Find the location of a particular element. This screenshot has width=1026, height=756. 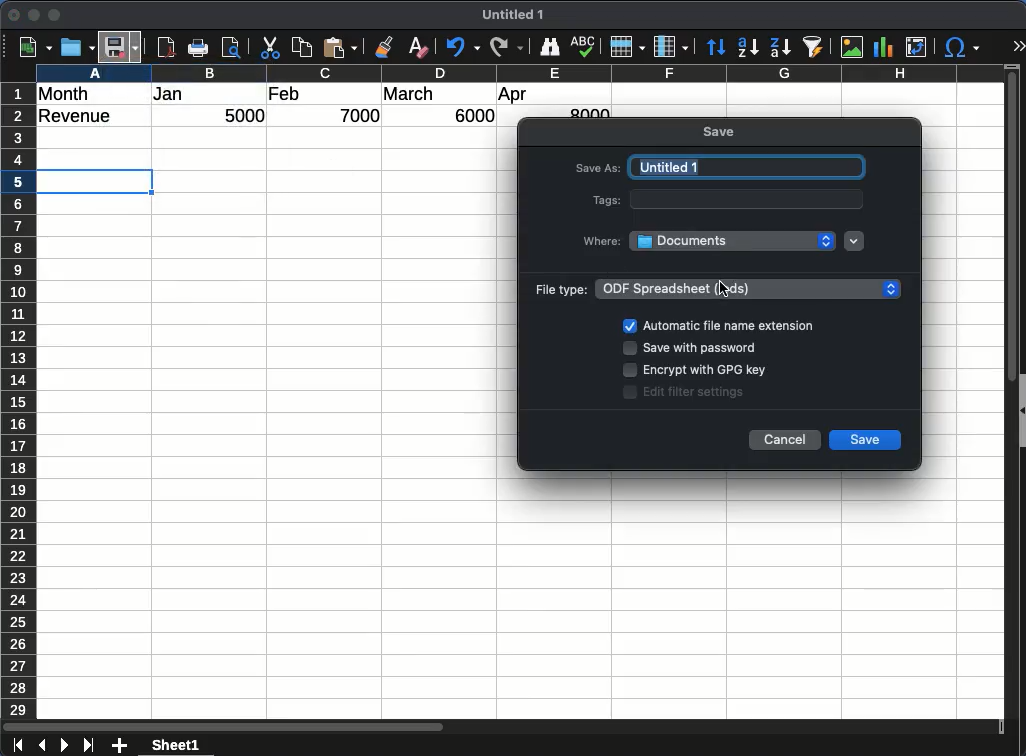

month is located at coordinates (68, 93).